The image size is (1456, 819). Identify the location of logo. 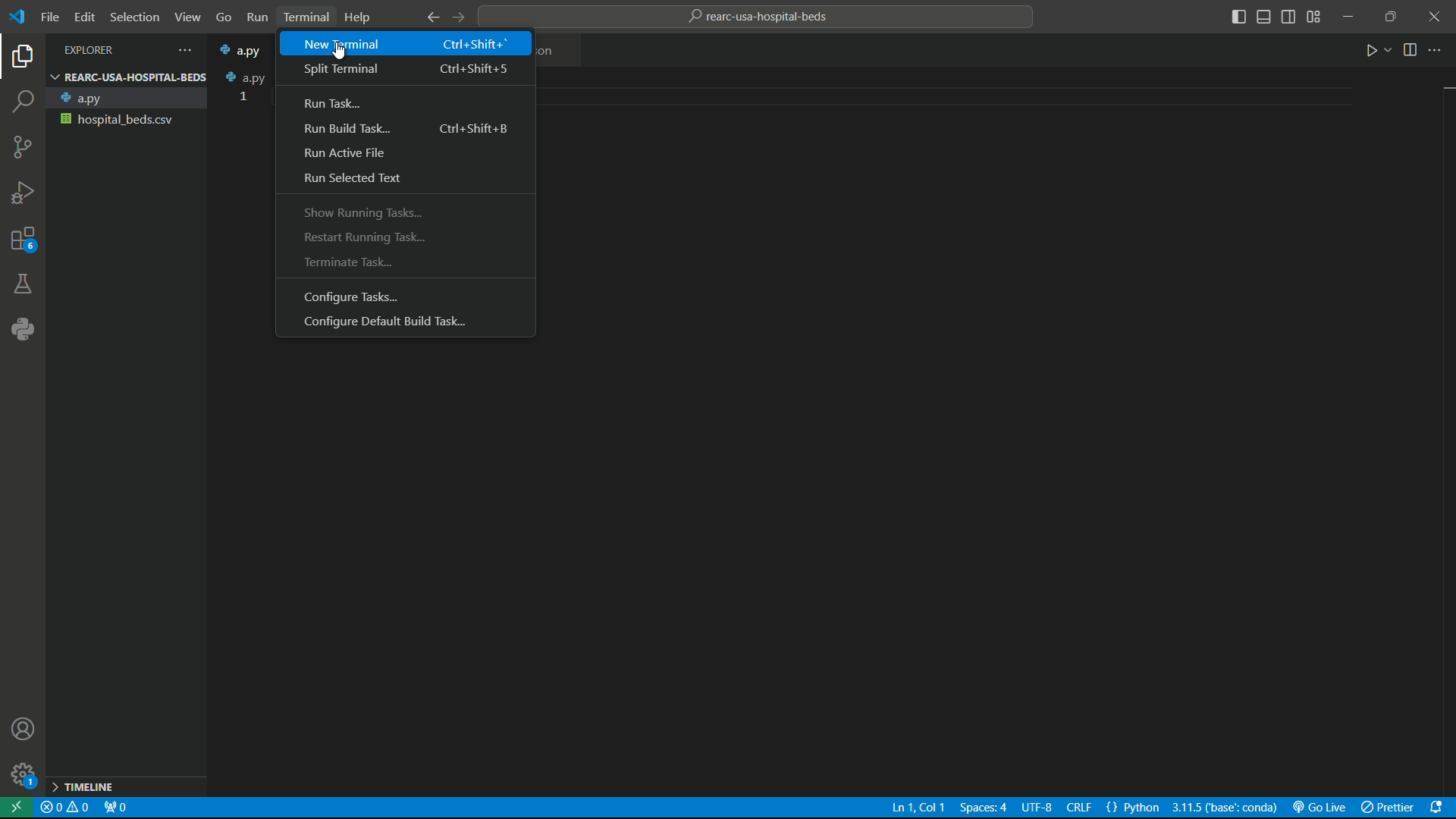
(20, 18).